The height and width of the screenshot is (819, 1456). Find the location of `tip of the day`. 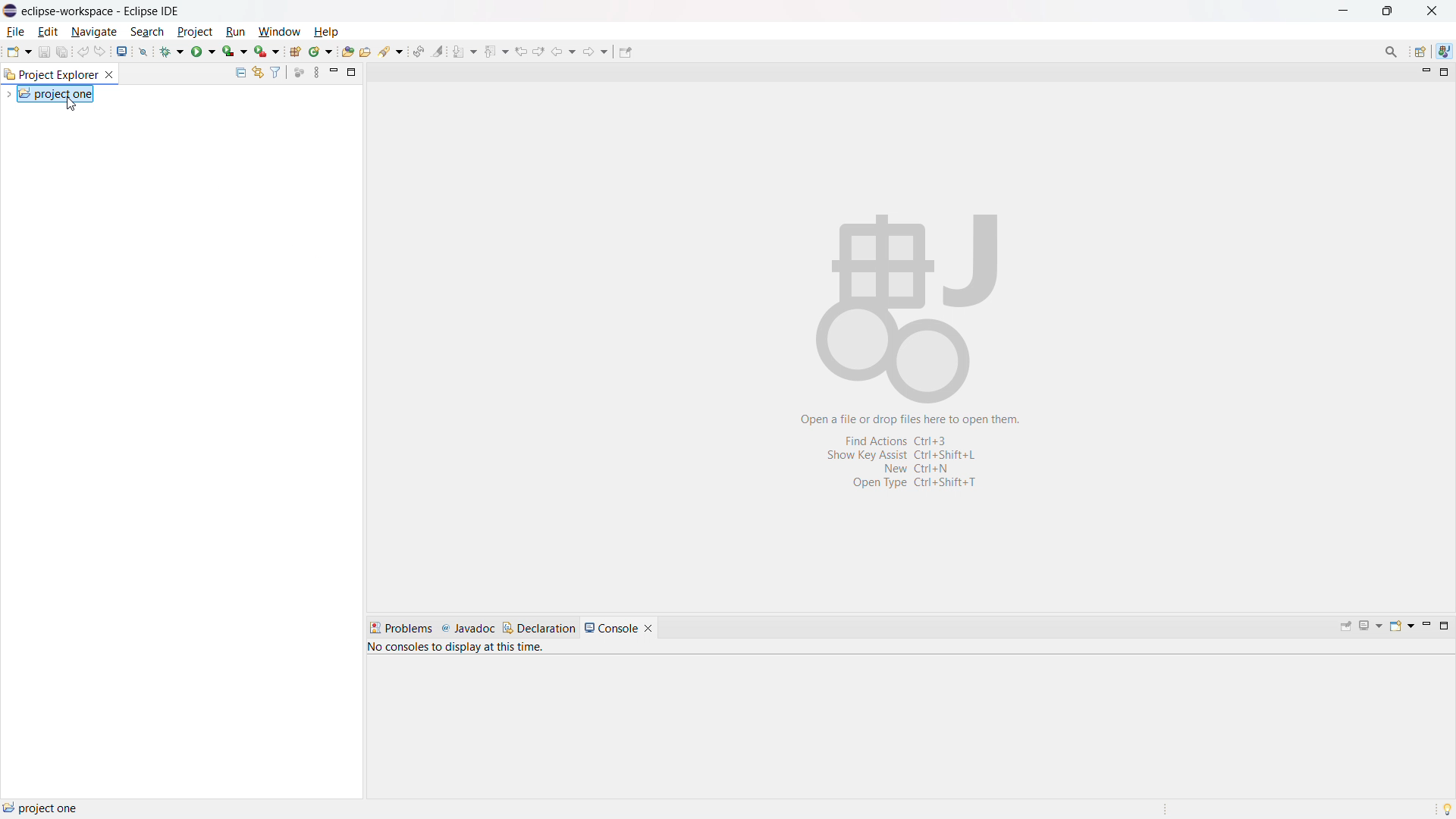

tip of the day is located at coordinates (1447, 808).